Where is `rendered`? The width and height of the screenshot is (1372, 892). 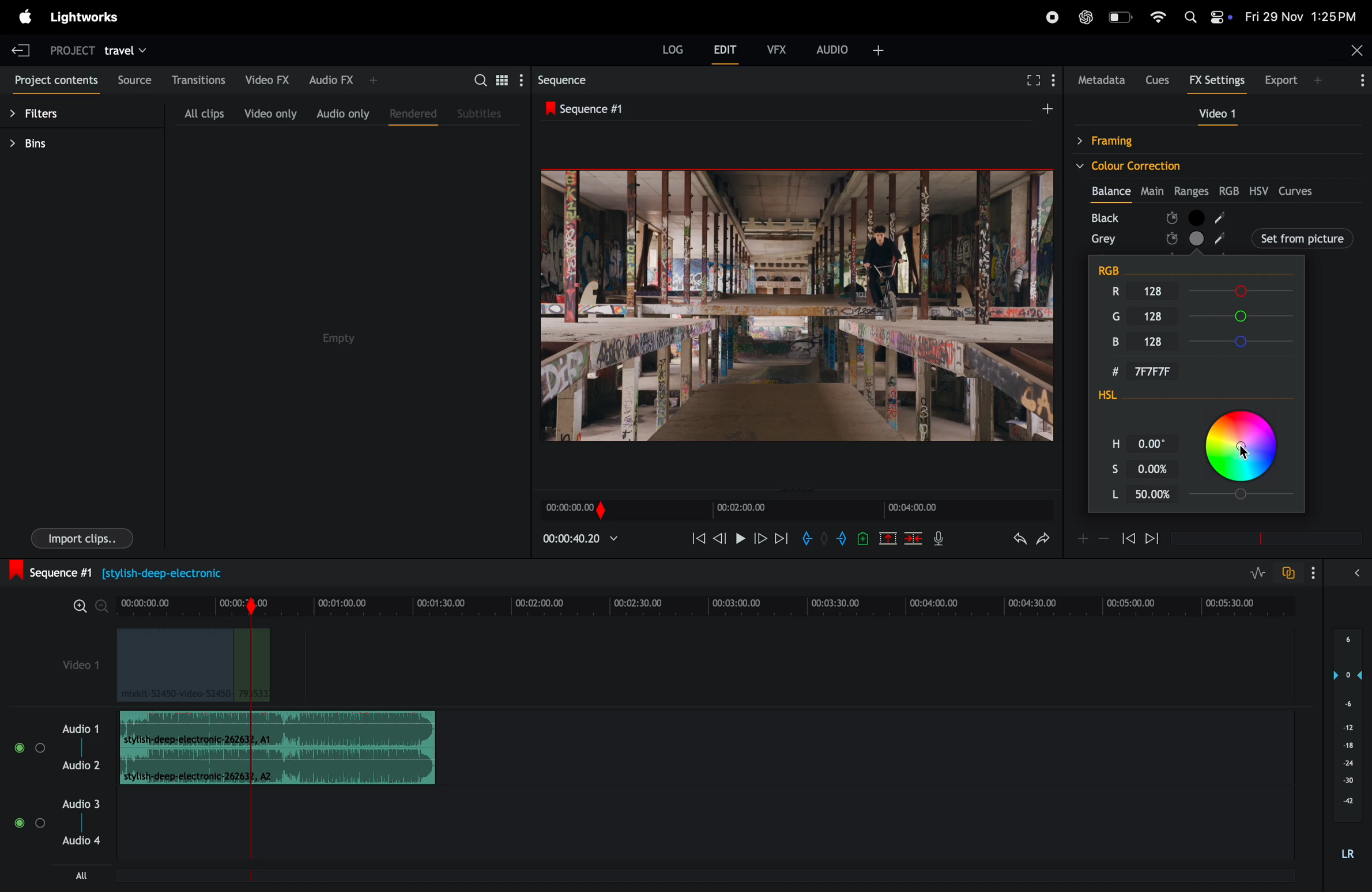
rendered is located at coordinates (413, 115).